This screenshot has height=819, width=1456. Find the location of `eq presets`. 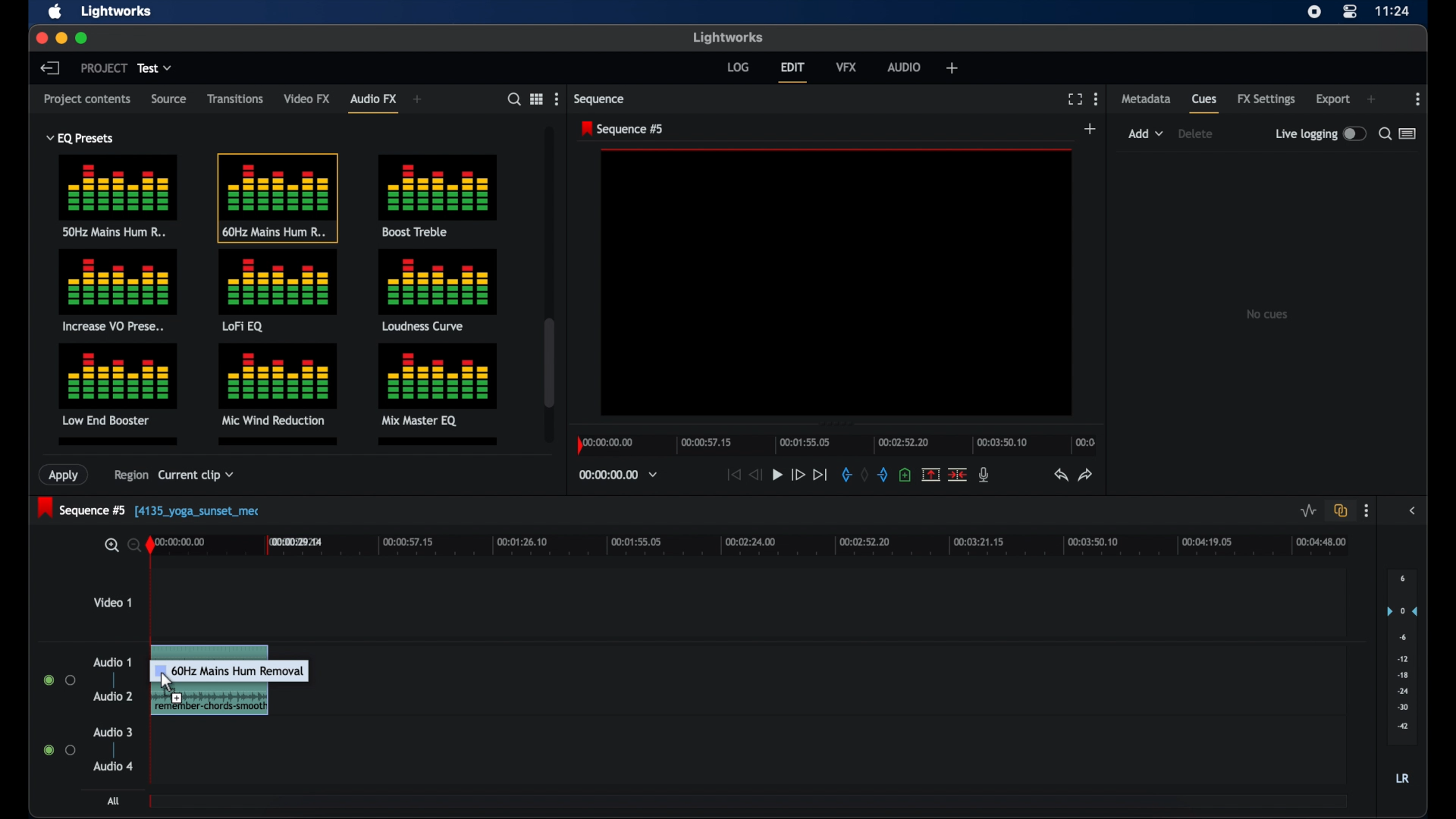

eq presets is located at coordinates (81, 138).